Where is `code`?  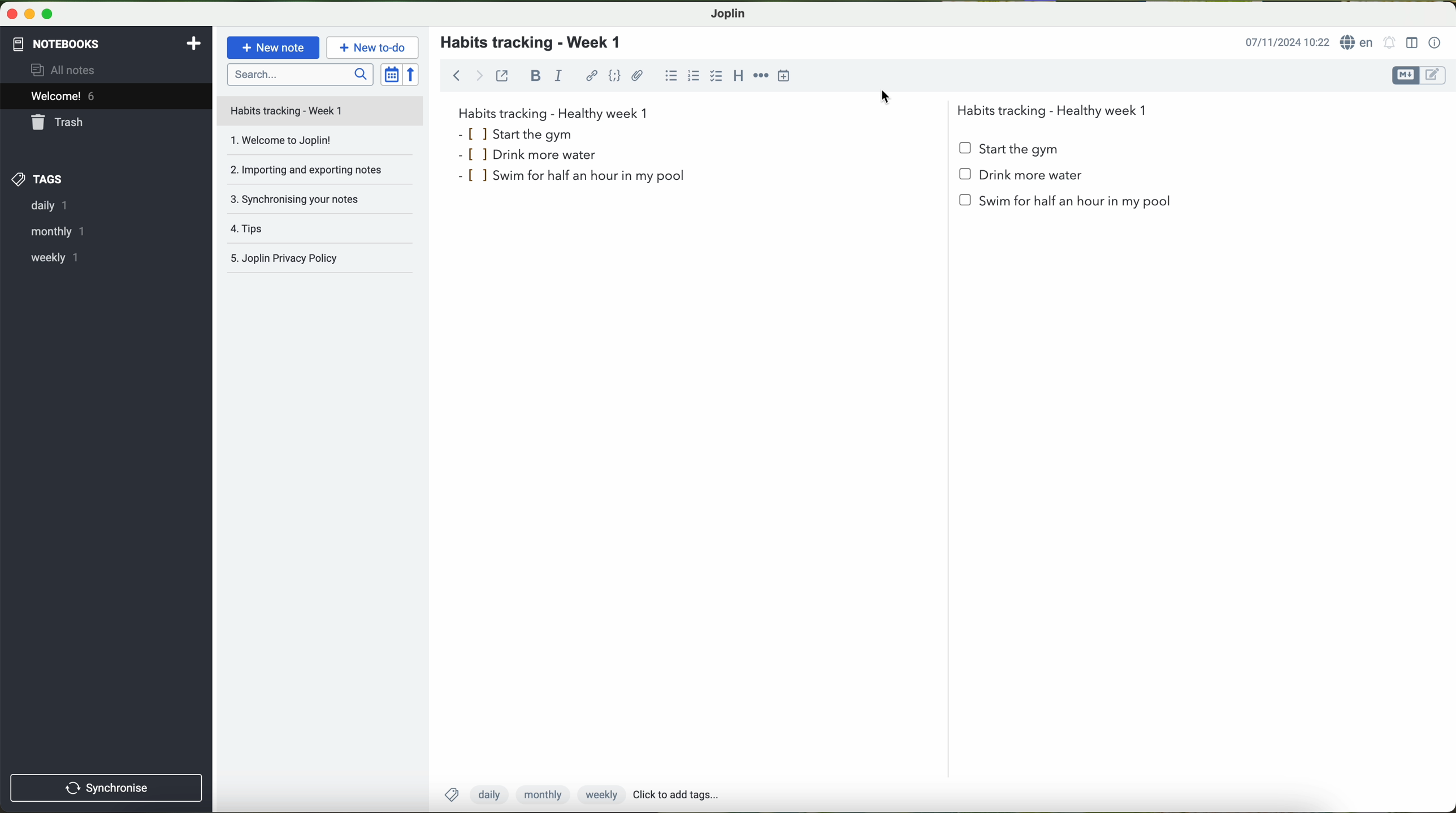 code is located at coordinates (616, 76).